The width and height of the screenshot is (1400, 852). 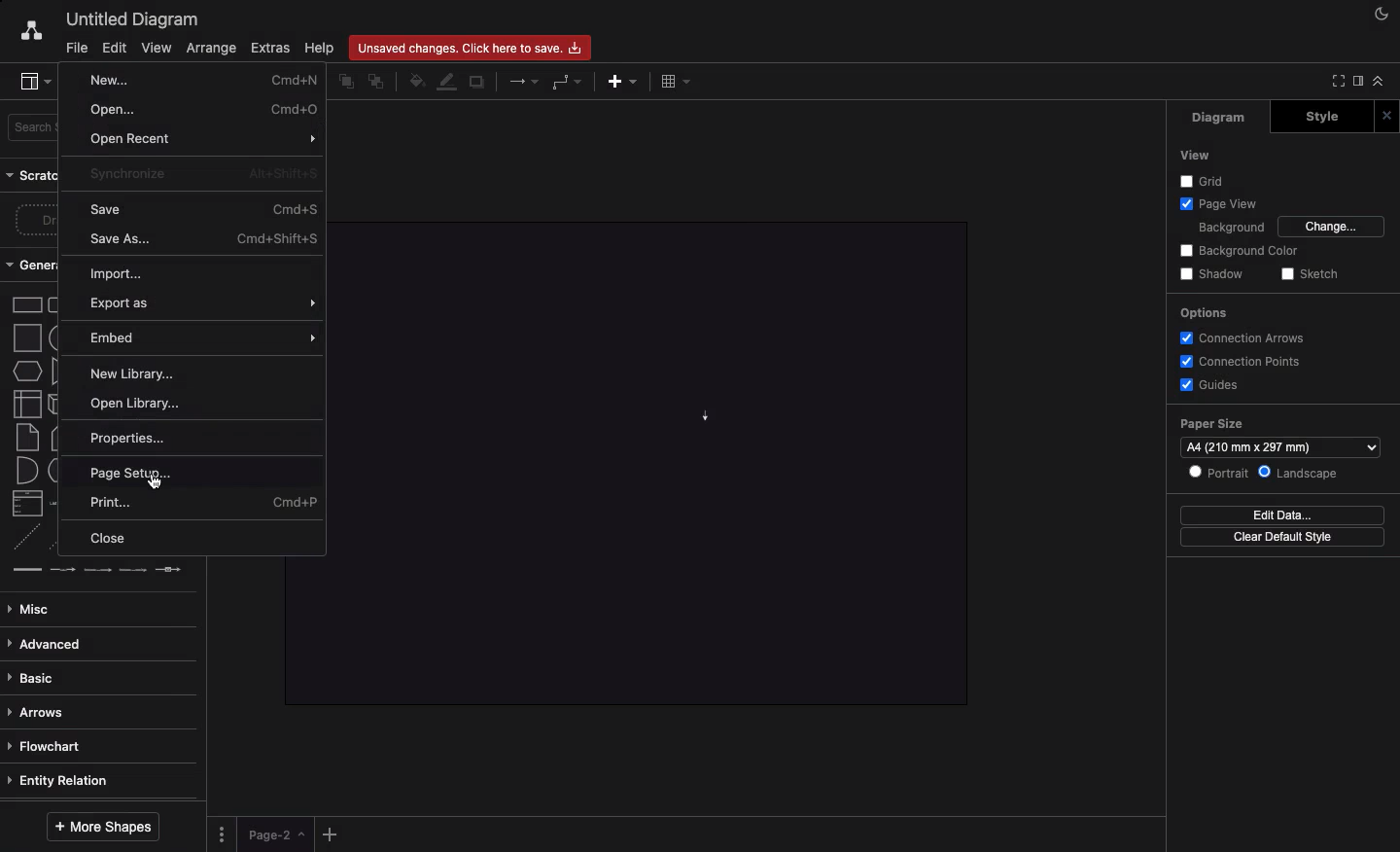 I want to click on Sidebar, so click(x=1356, y=83).